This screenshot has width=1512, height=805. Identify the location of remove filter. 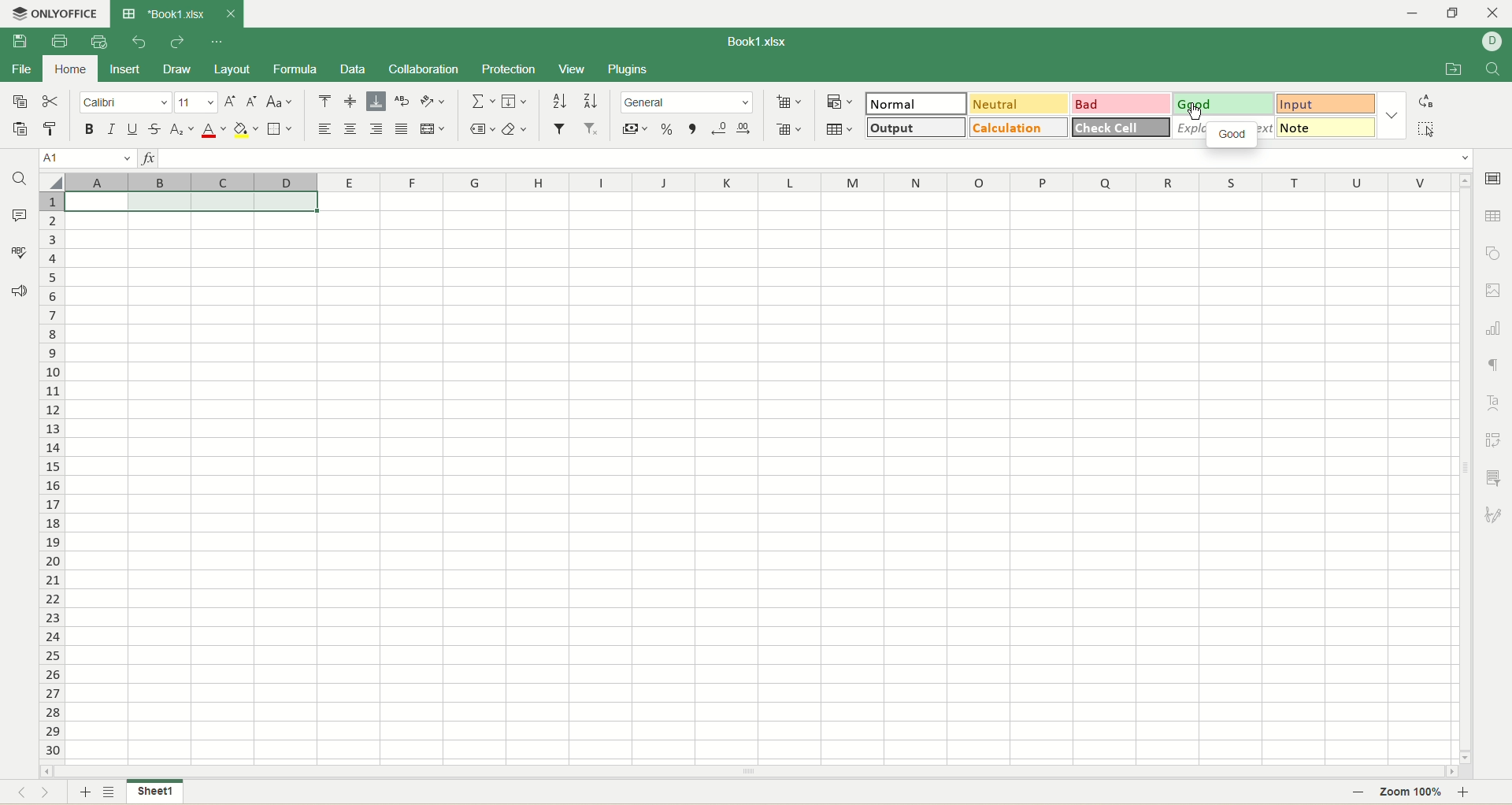
(590, 128).